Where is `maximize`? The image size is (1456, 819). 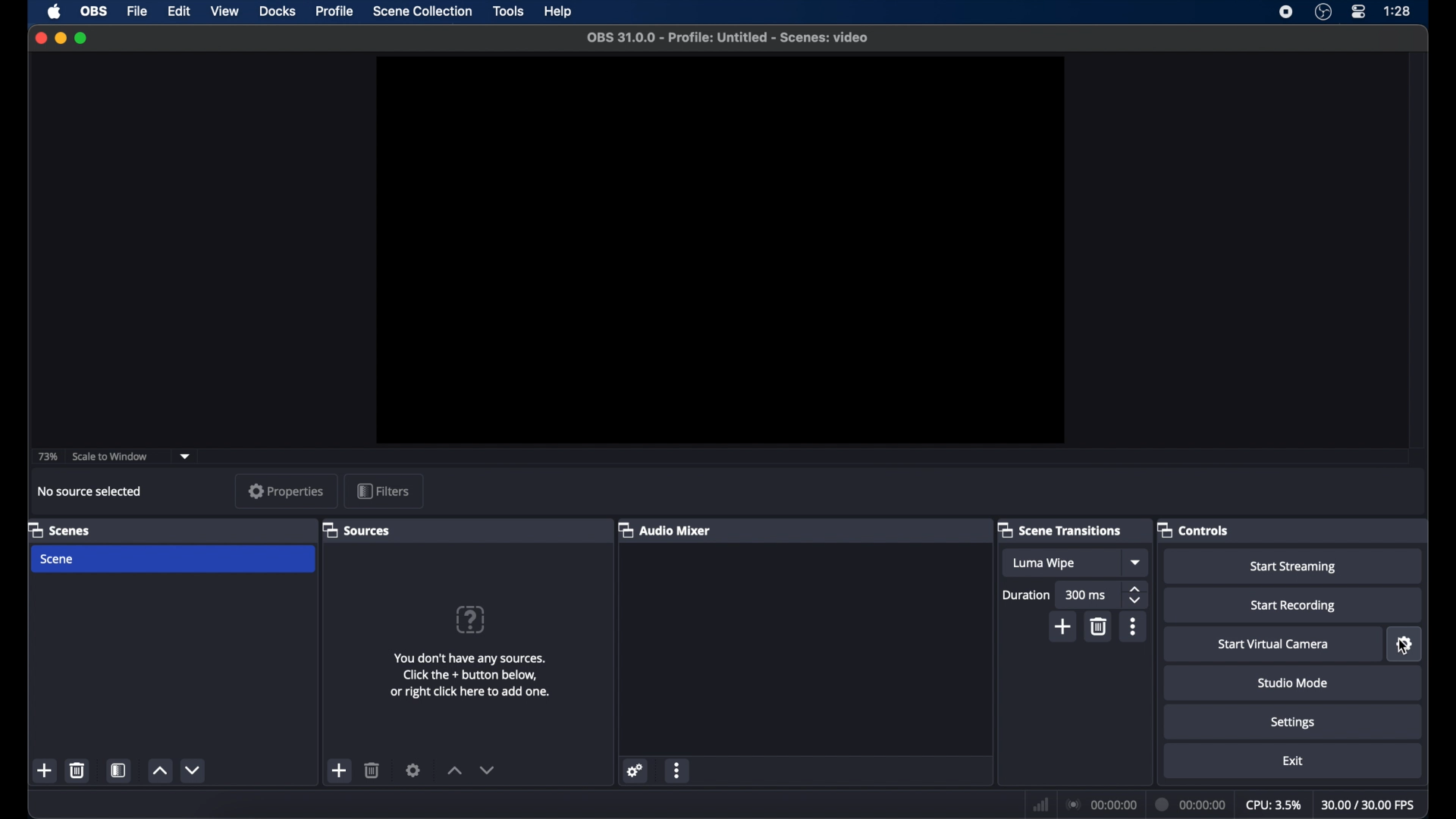
maximize is located at coordinates (83, 38).